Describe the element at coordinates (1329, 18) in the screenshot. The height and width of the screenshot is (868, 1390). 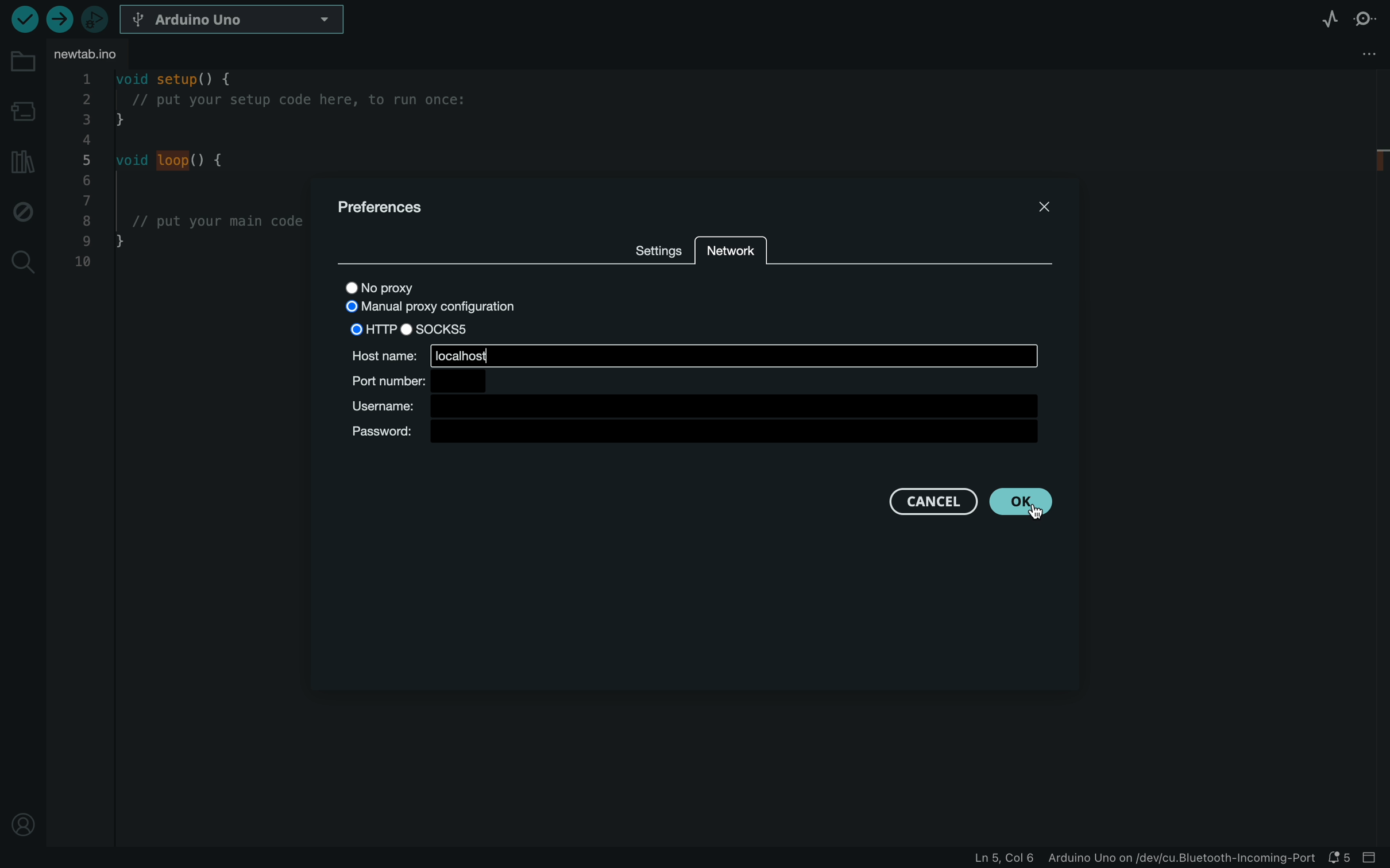
I see `serial plotter` at that location.